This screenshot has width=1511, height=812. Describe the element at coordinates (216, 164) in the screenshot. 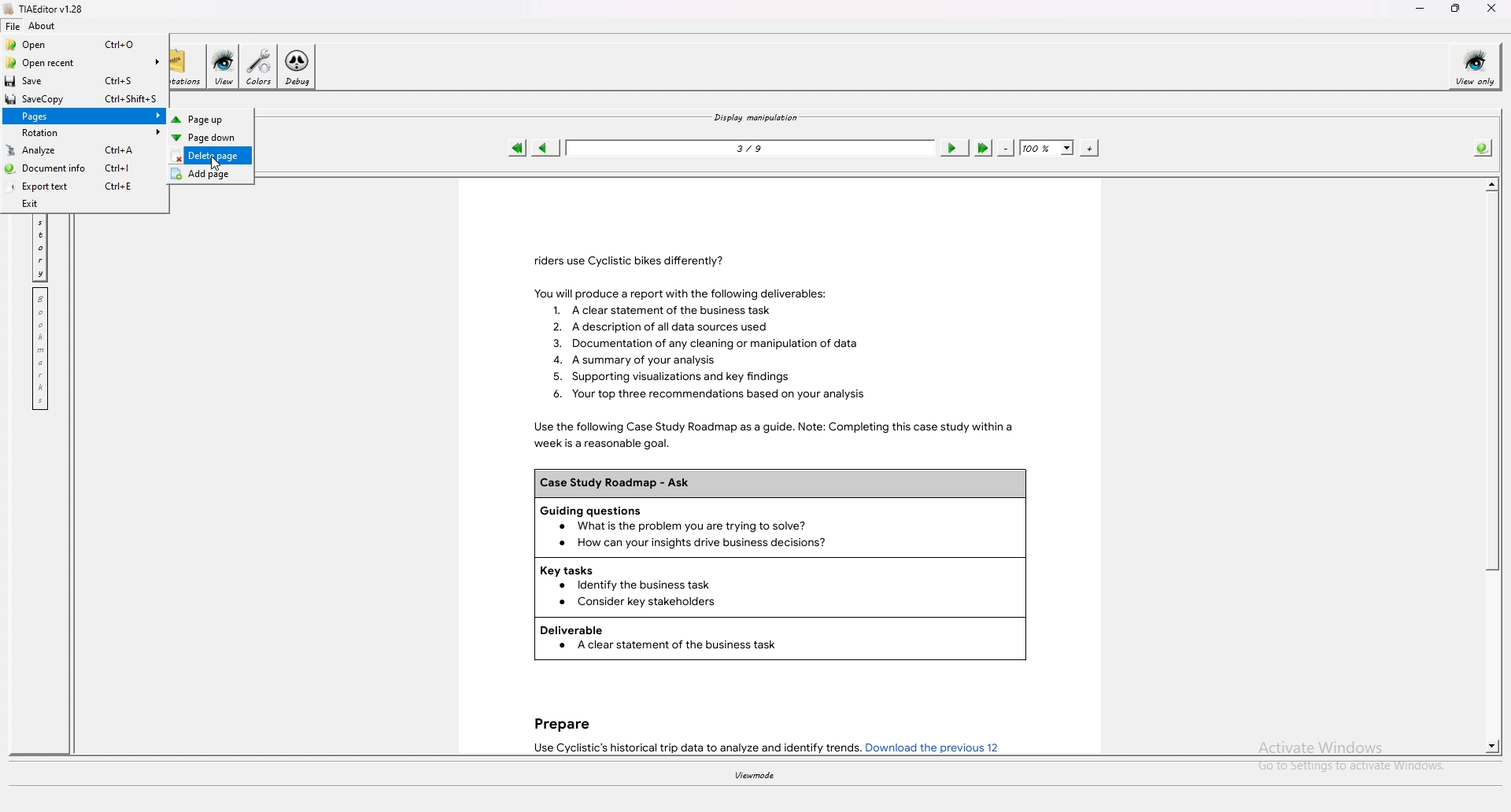

I see `cursor` at that location.